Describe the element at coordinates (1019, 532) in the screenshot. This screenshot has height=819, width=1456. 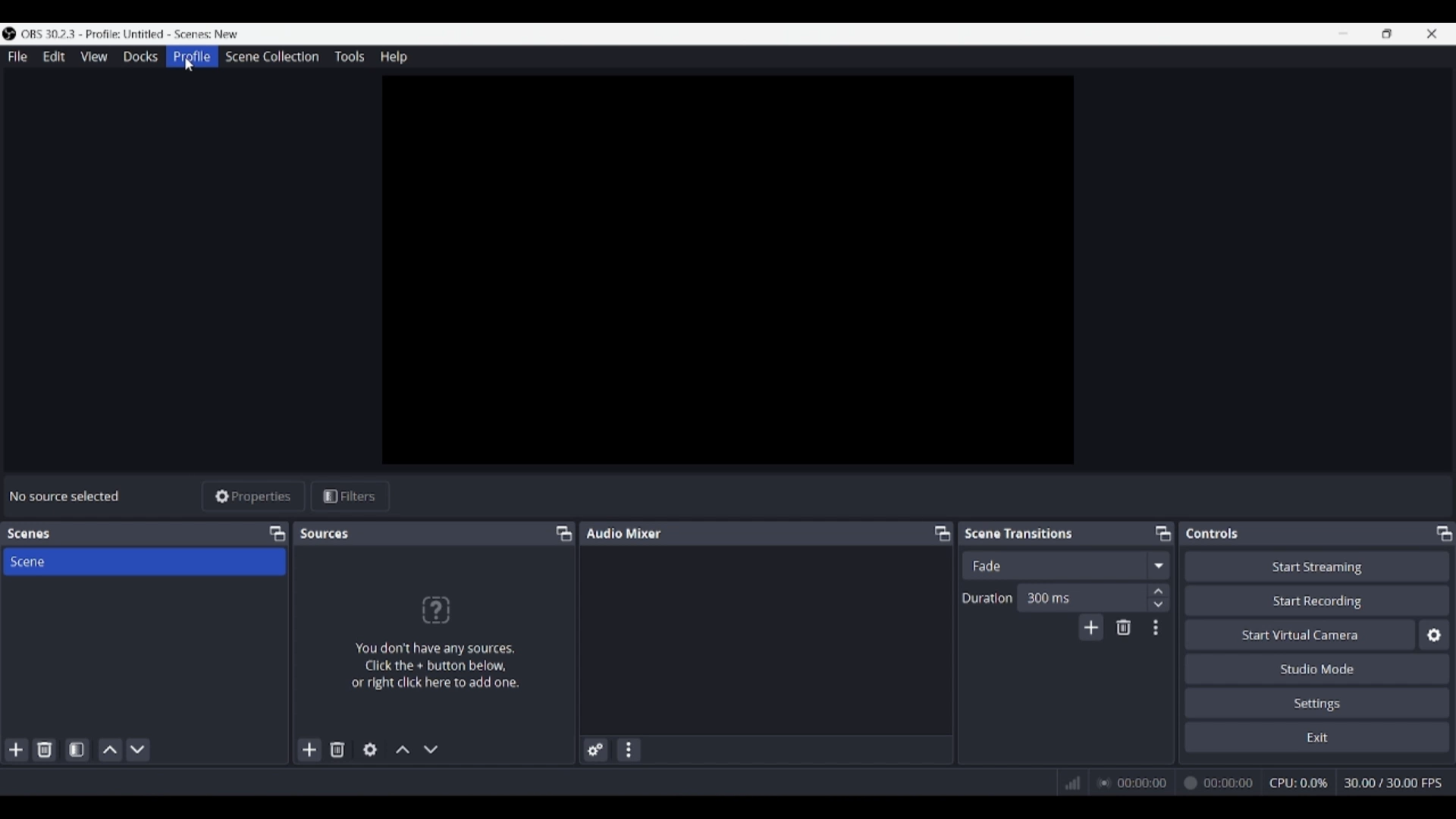
I see `Panel title` at that location.